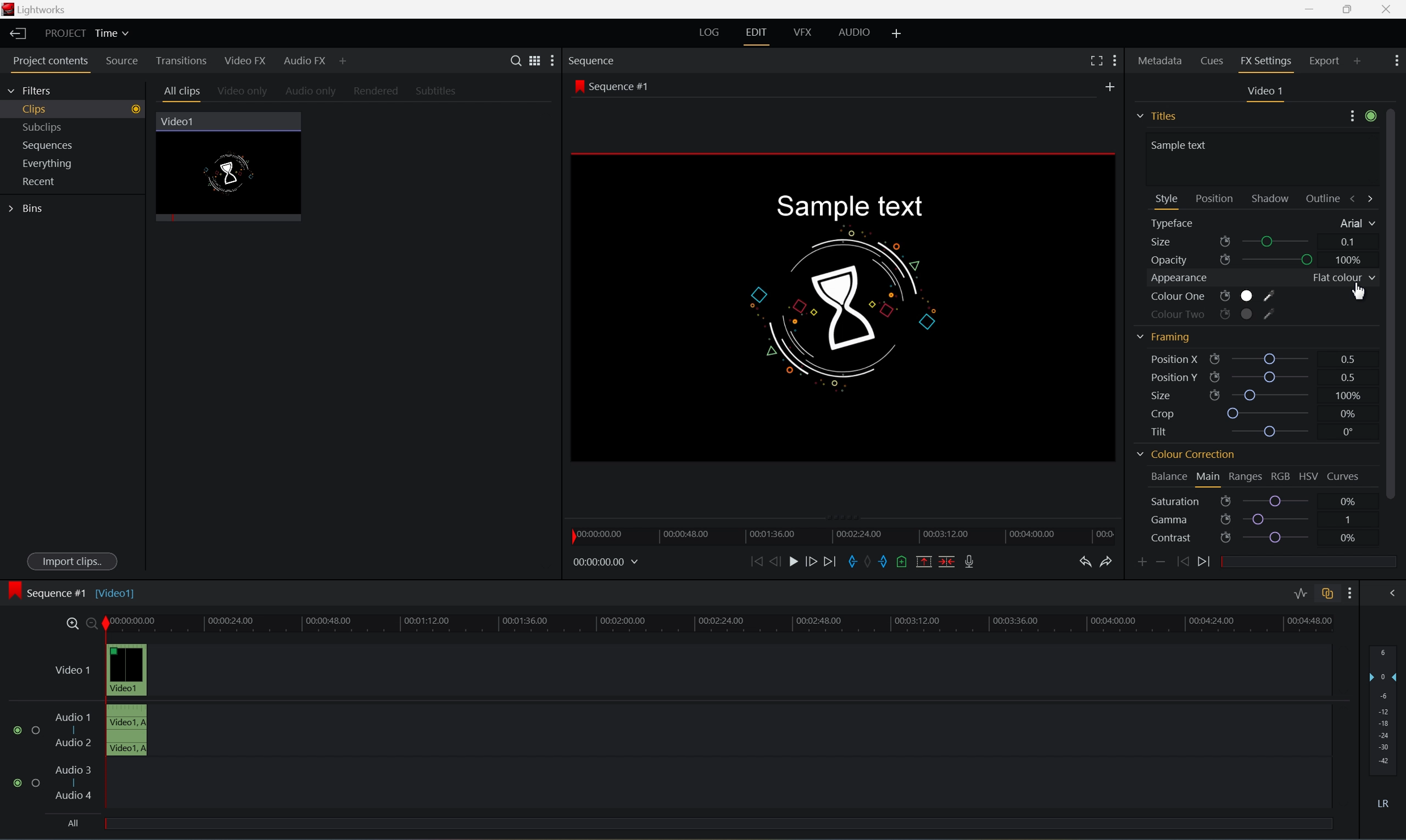 The width and height of the screenshot is (1406, 840). I want to click on 100%, so click(1347, 395).